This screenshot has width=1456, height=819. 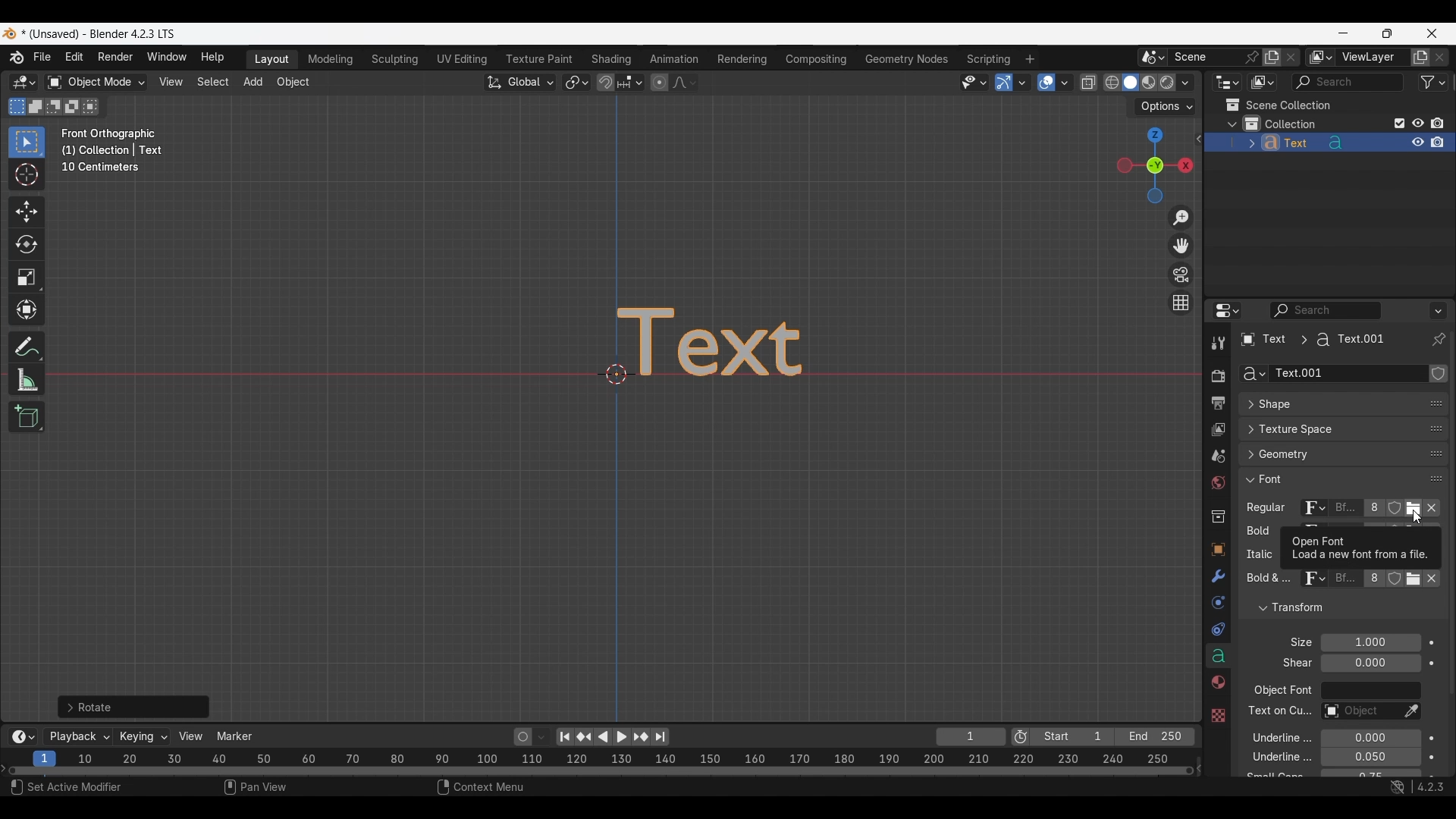 What do you see at coordinates (1130, 83) in the screenshot?
I see `Viewport shading, solid` at bounding box center [1130, 83].